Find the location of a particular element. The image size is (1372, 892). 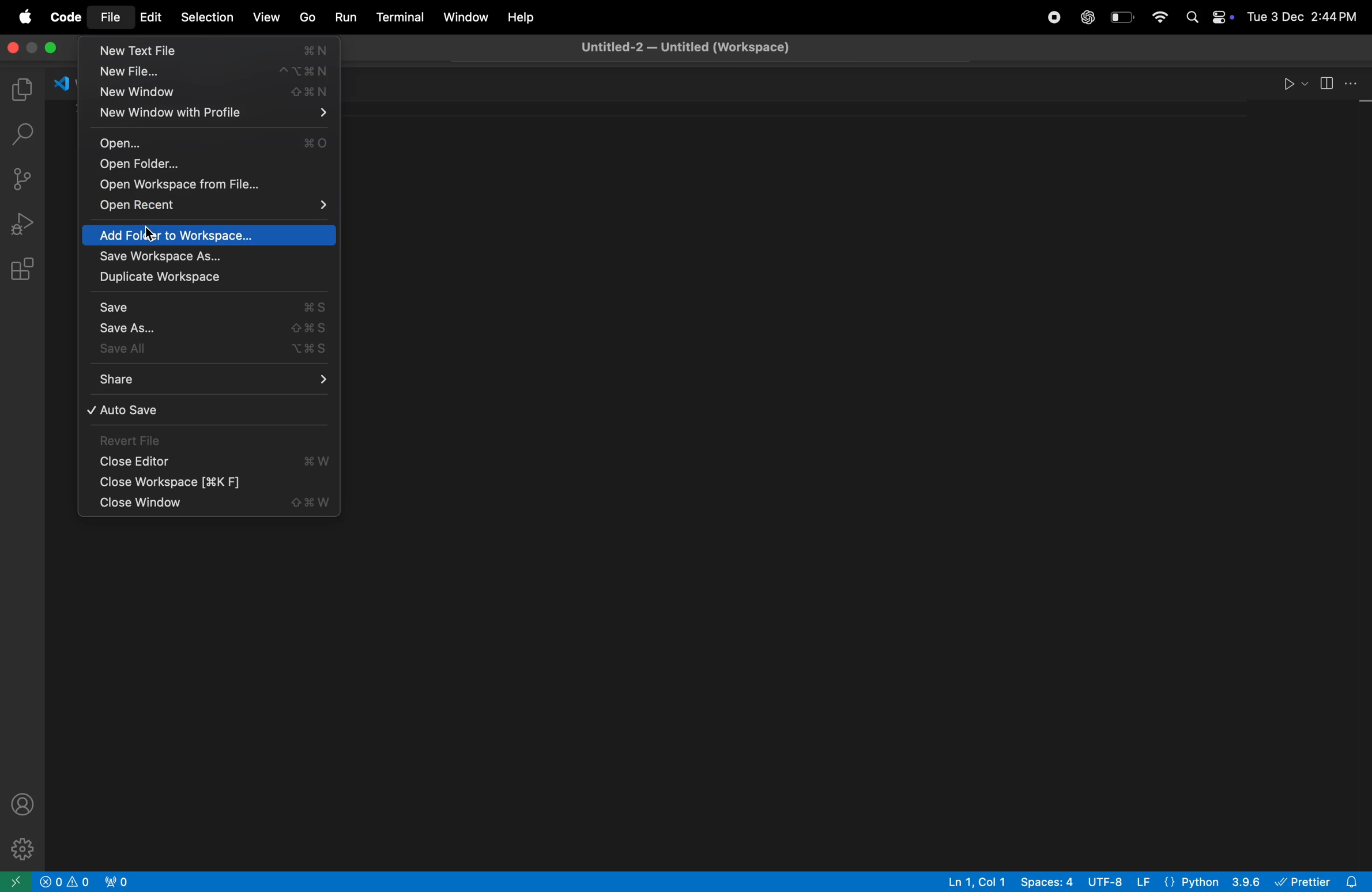

battery is located at coordinates (1124, 17).